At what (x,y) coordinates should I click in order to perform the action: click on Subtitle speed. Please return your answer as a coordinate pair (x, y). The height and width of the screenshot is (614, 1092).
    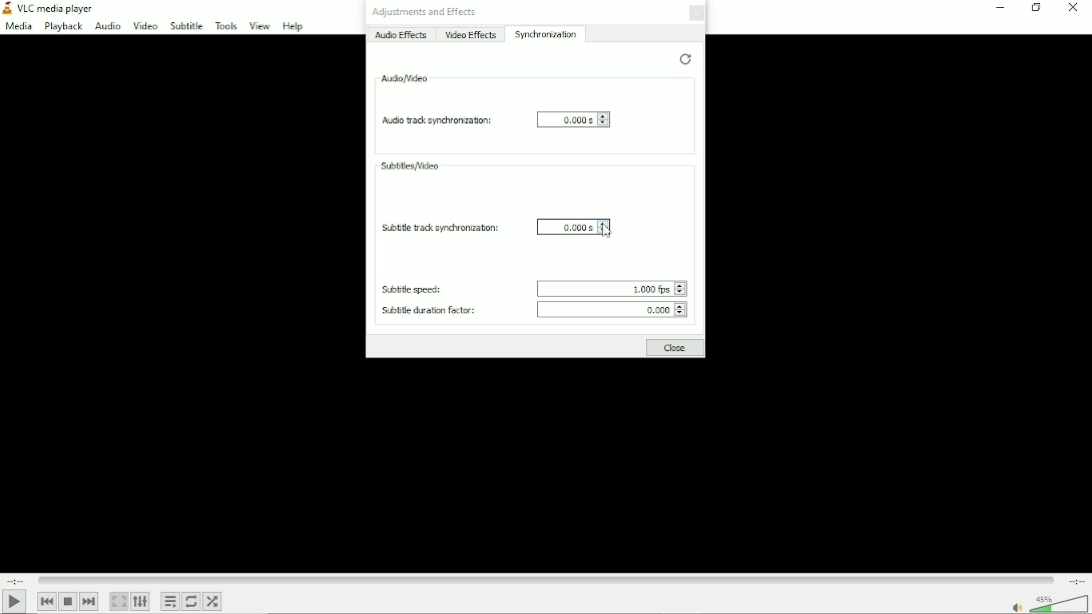
    Looking at the image, I should click on (414, 289).